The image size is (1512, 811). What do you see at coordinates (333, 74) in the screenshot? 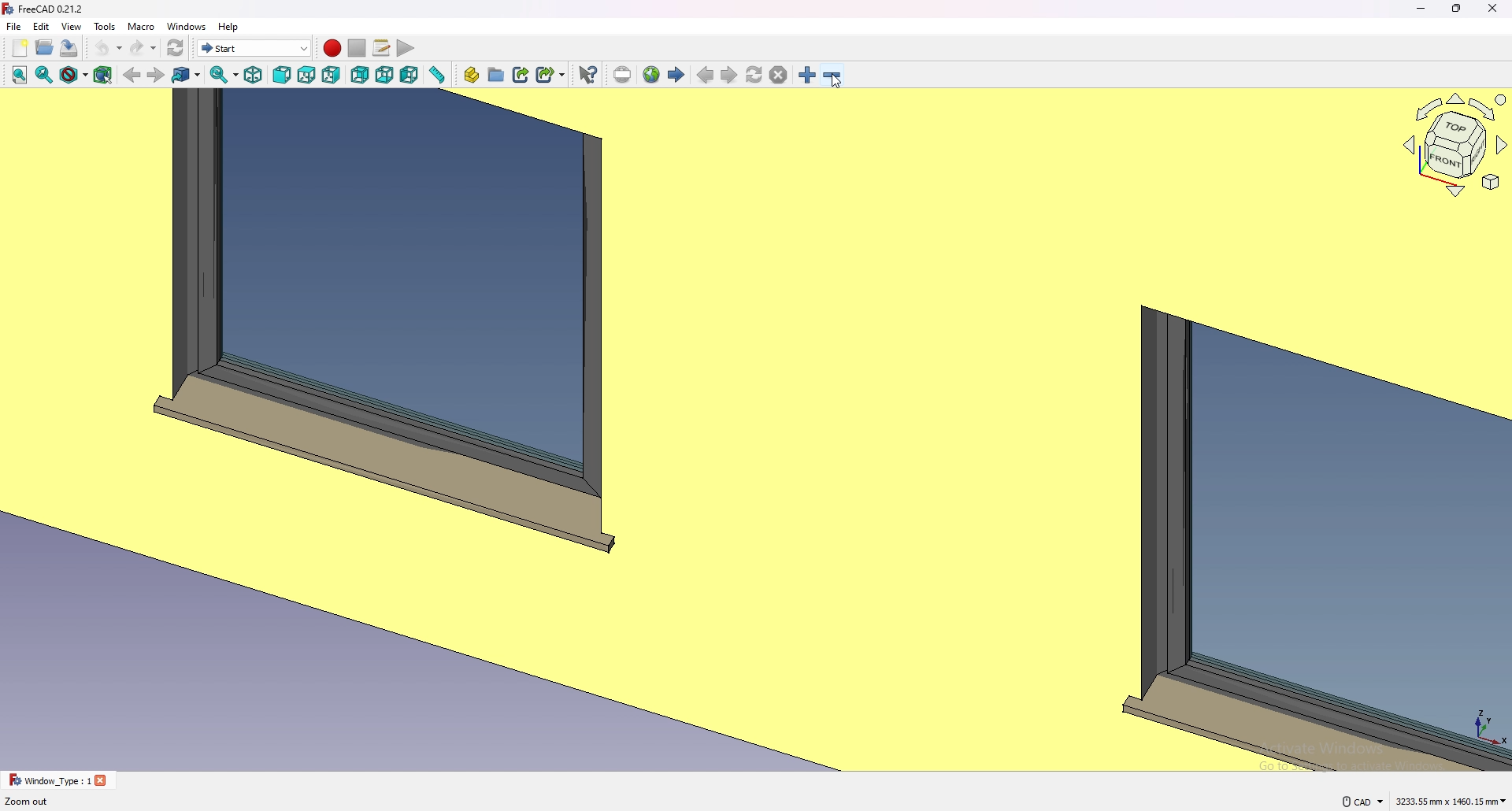
I see `right` at bounding box center [333, 74].